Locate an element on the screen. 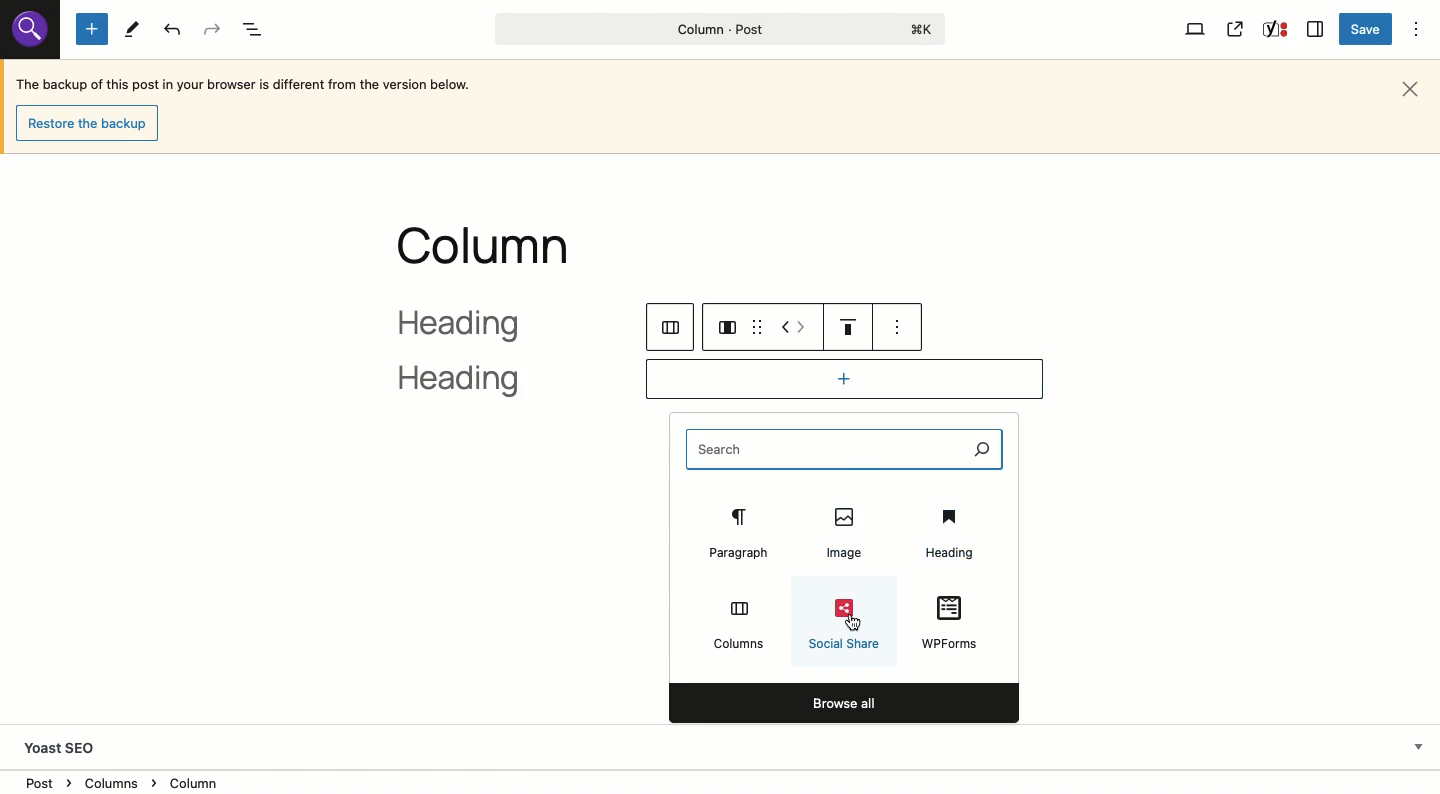   is located at coordinates (27, 30).